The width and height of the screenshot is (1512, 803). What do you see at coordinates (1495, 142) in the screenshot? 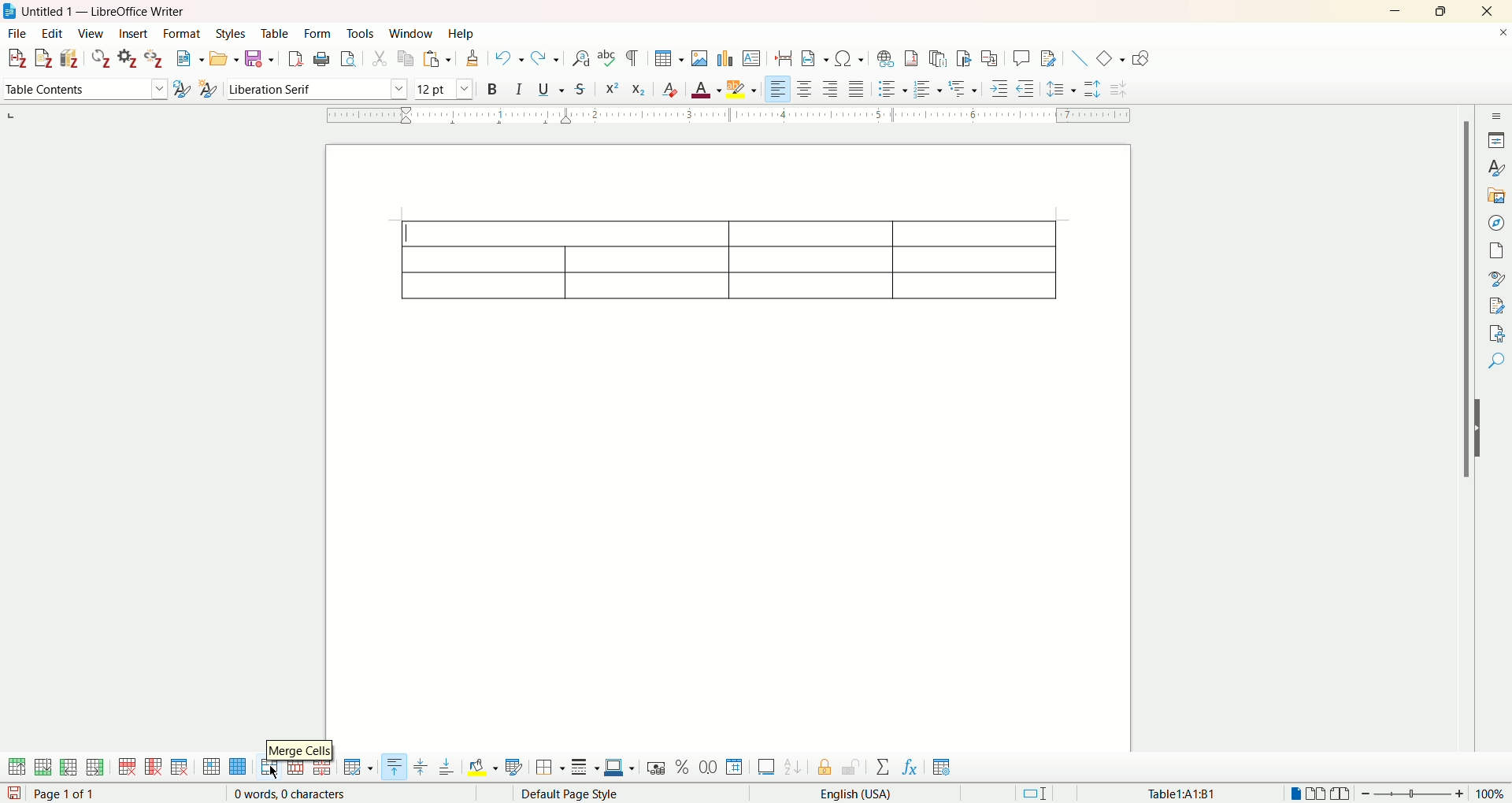
I see `properties` at bounding box center [1495, 142].